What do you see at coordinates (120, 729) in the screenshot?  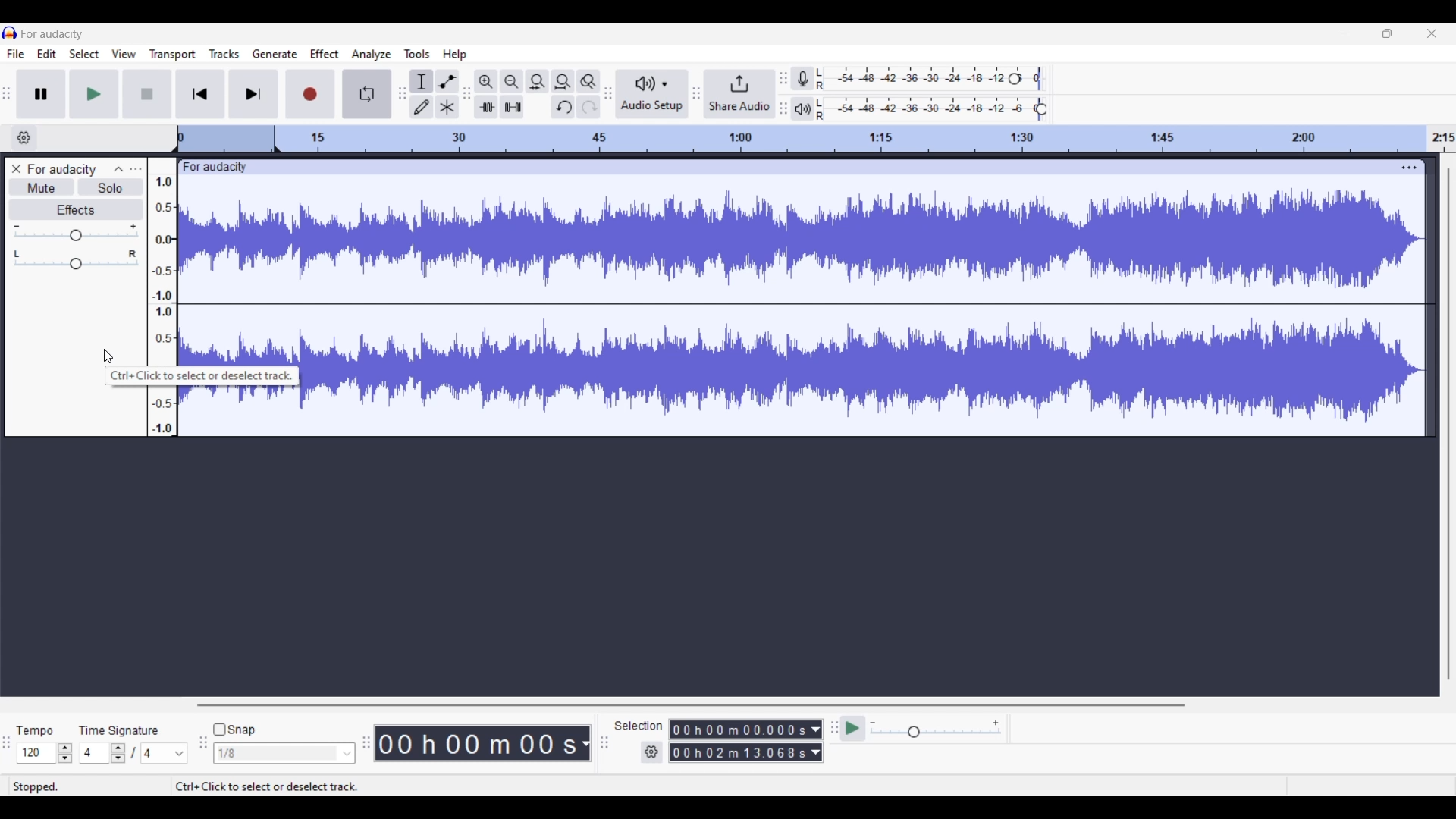 I see `TIme signature` at bounding box center [120, 729].